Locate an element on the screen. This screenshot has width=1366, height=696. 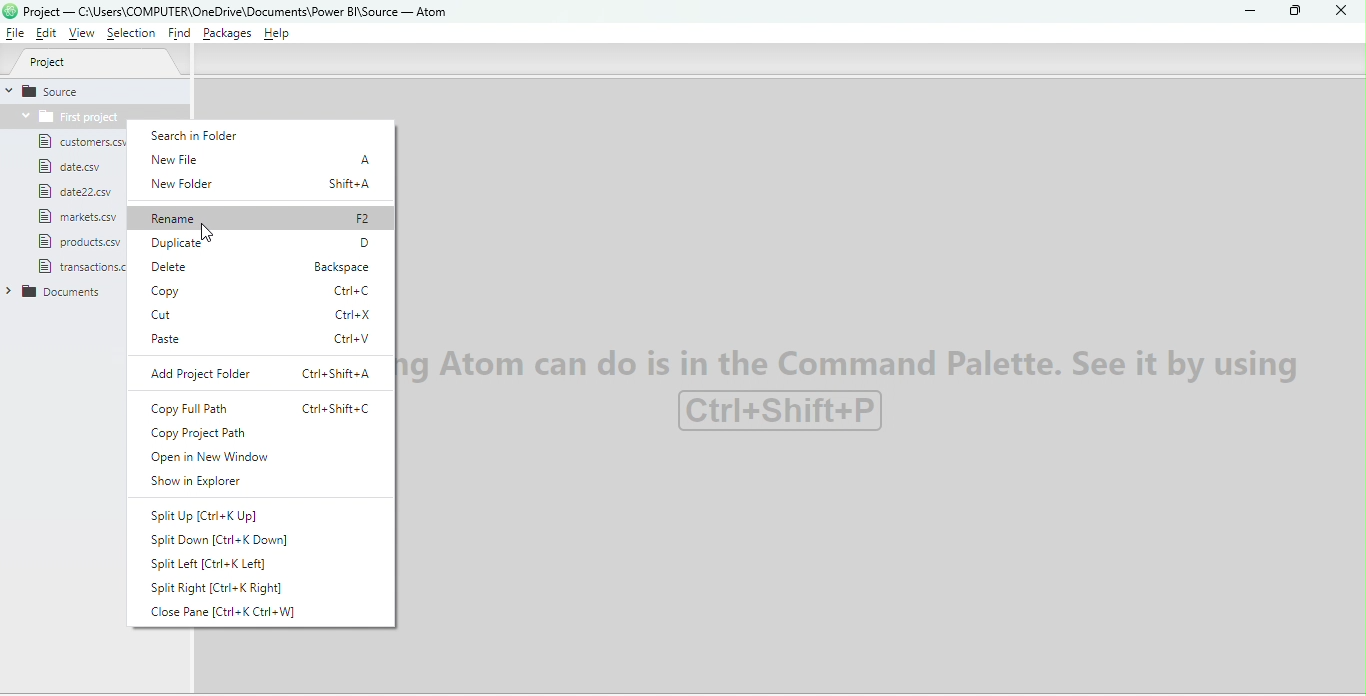
Copy project path is located at coordinates (225, 435).